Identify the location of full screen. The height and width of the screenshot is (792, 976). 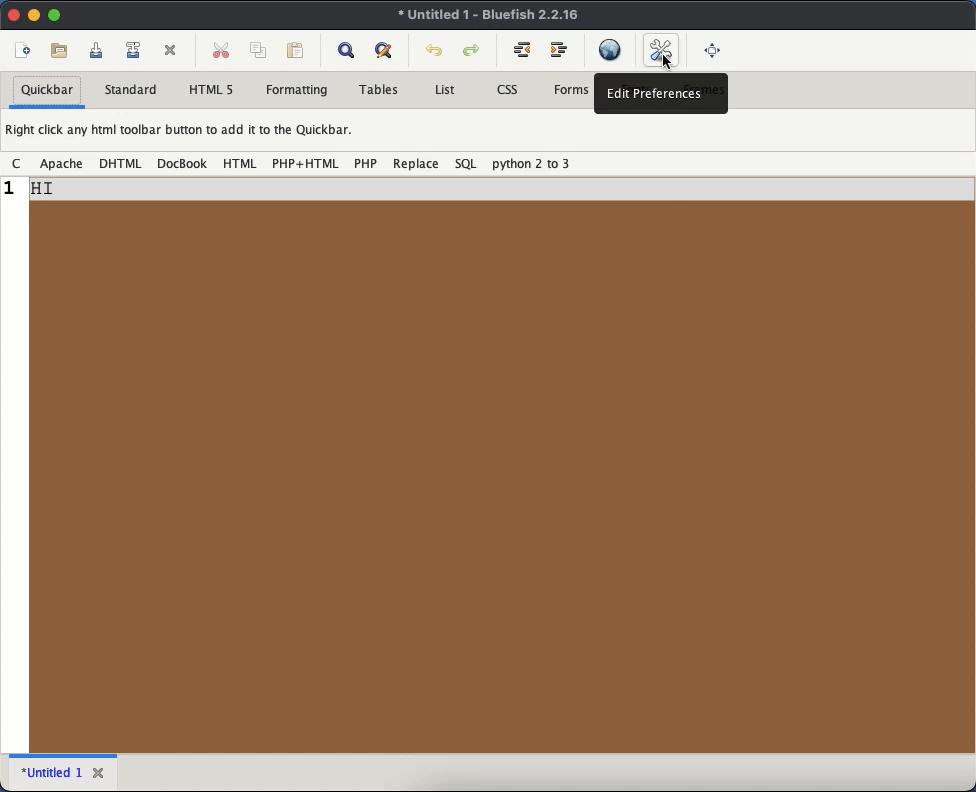
(715, 52).